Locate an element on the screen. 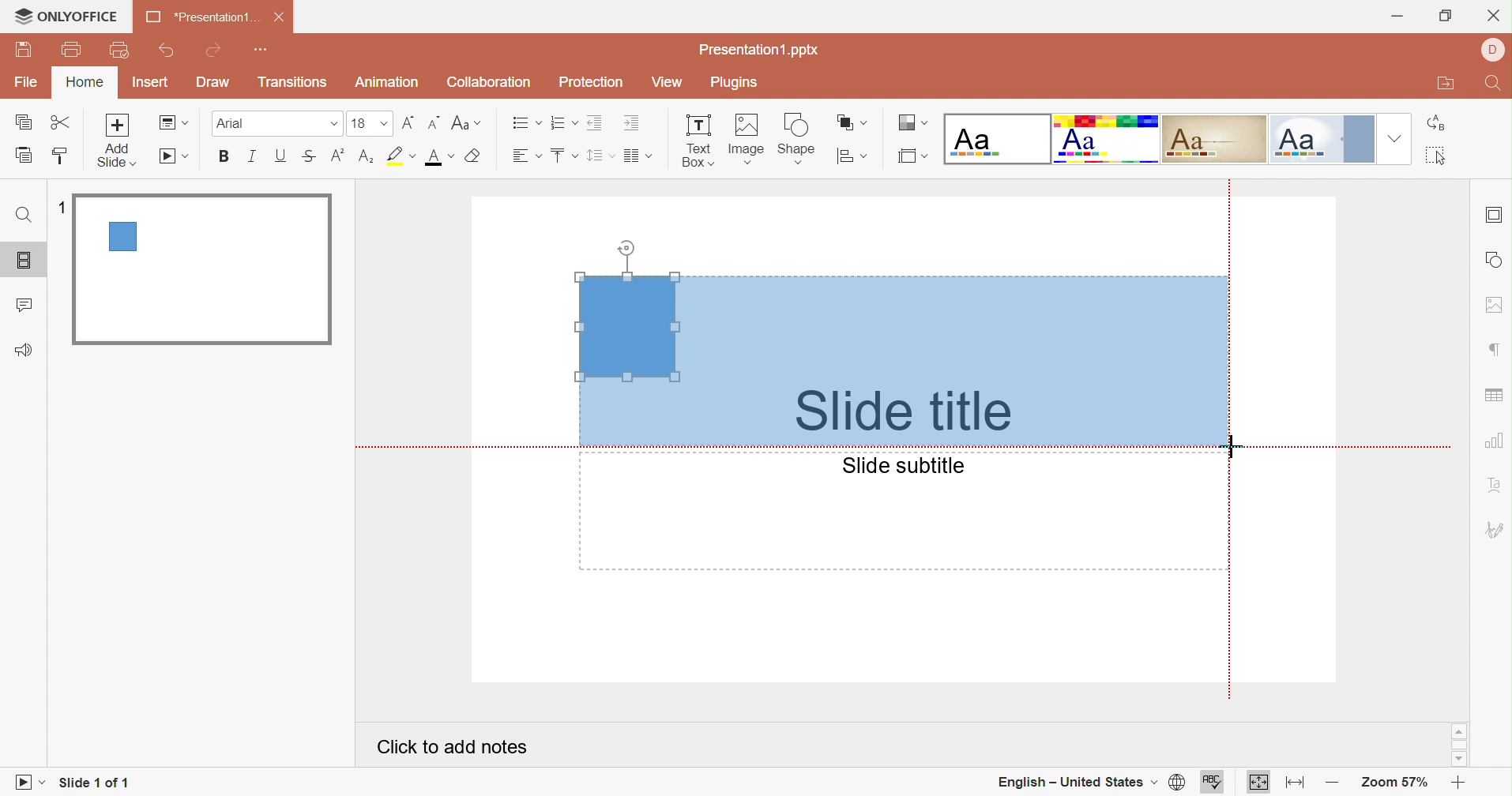 The height and width of the screenshot is (796, 1512). Zoom 57% is located at coordinates (1396, 784).